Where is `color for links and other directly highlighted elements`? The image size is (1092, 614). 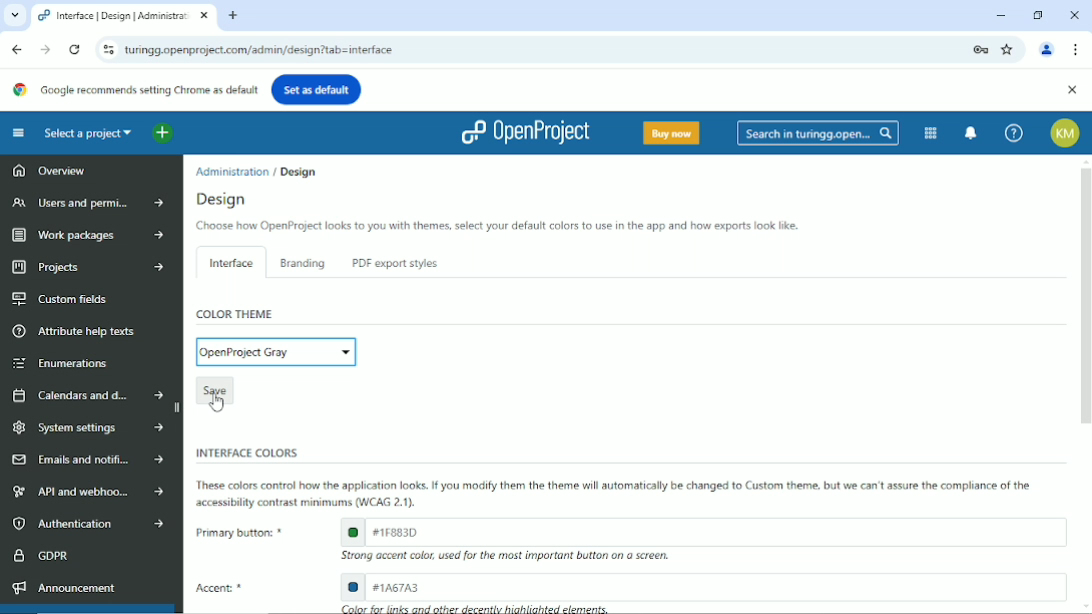
color for links and other directly highlighted elements is located at coordinates (477, 608).